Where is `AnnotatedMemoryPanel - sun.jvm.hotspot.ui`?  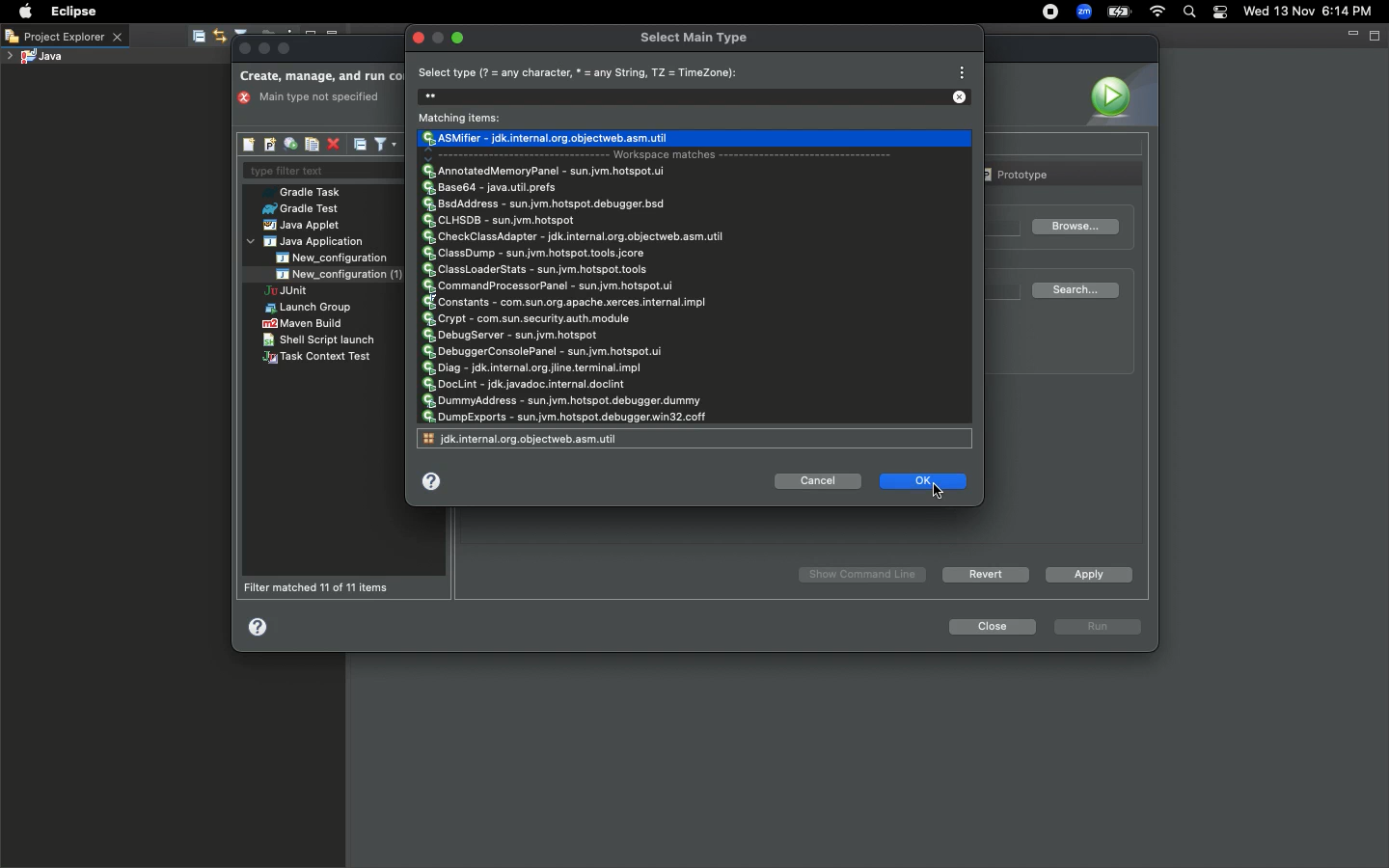
AnnotatedMemoryPanel - sun.jvm.hotspot.ui is located at coordinates (544, 170).